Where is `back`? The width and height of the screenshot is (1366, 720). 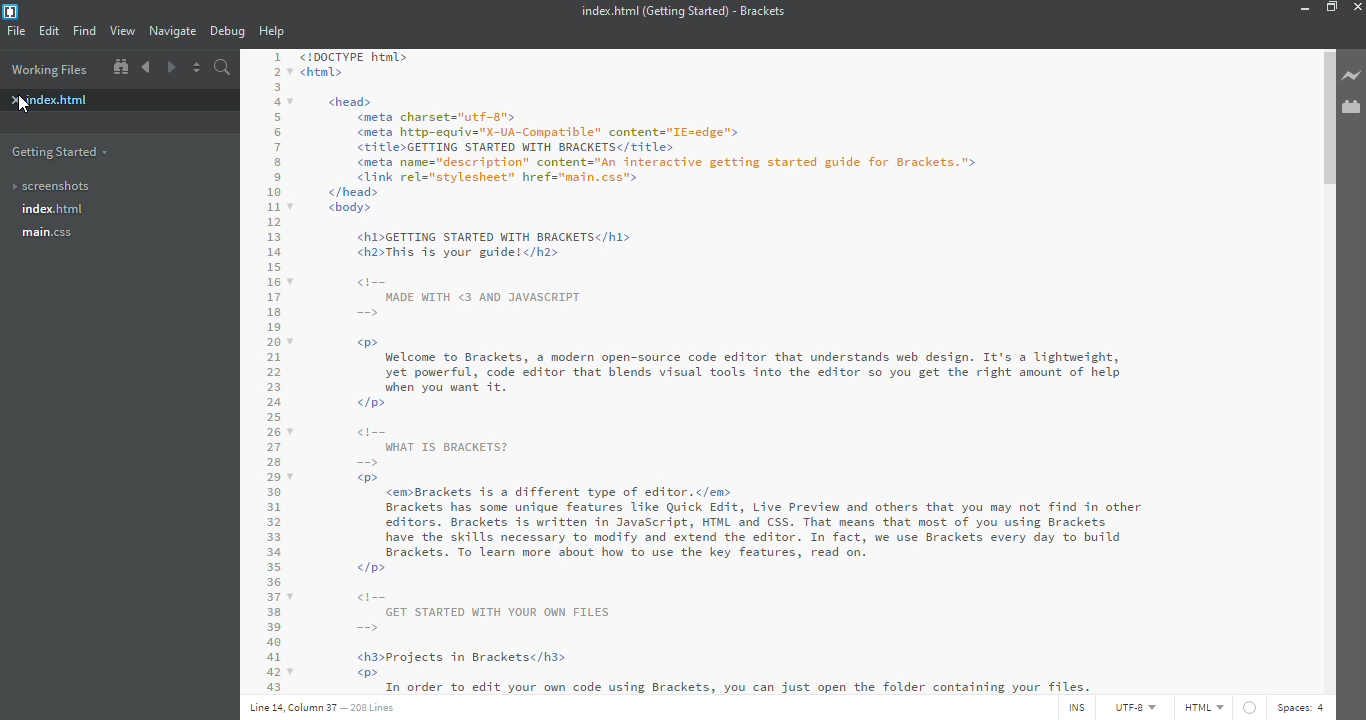 back is located at coordinates (146, 67).